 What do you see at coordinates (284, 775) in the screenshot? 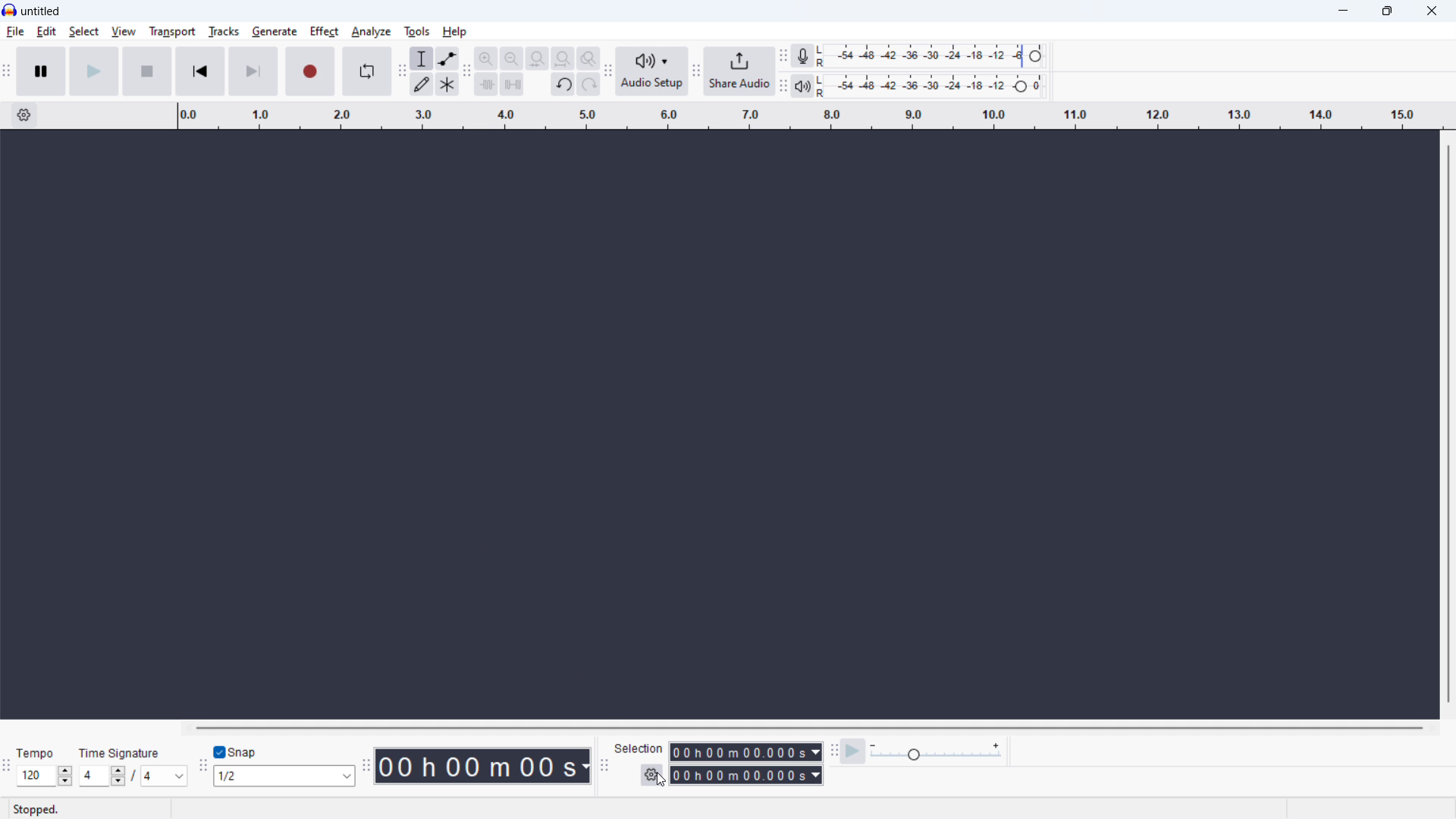
I see `set snapping` at bounding box center [284, 775].